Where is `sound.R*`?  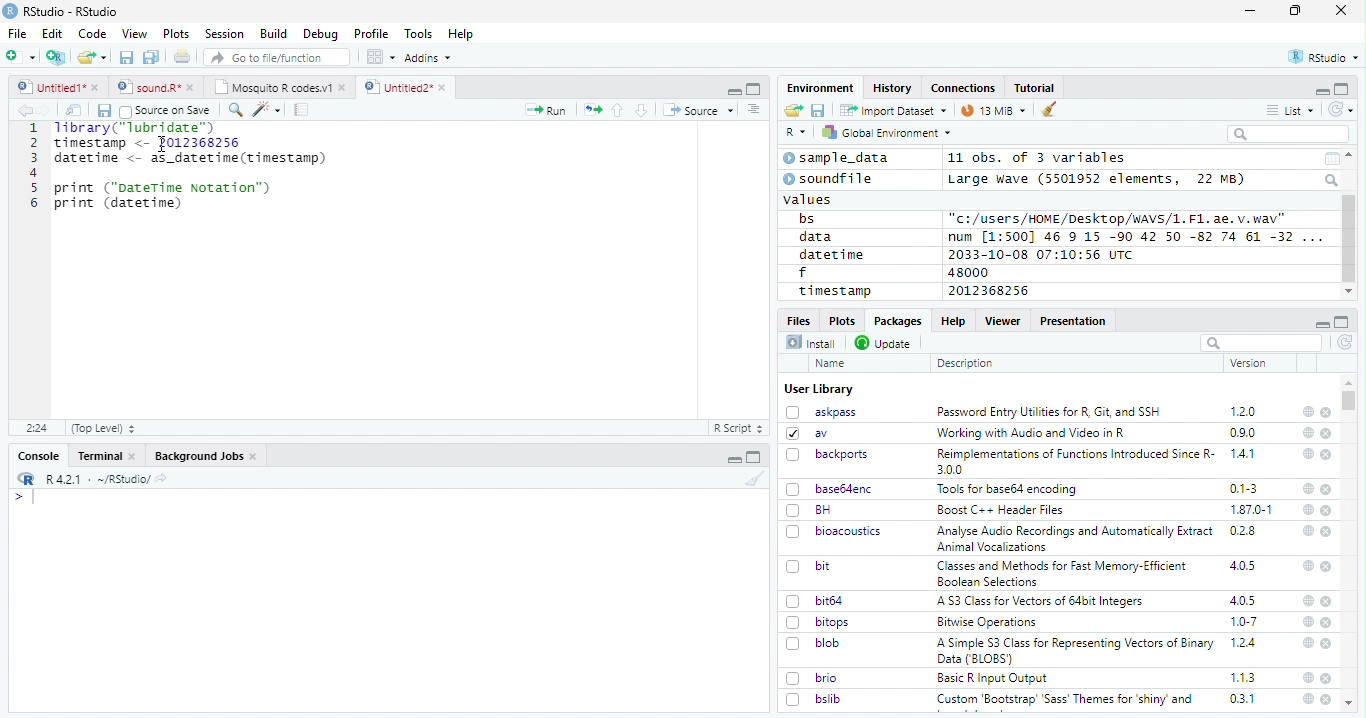 sound.R* is located at coordinates (156, 88).